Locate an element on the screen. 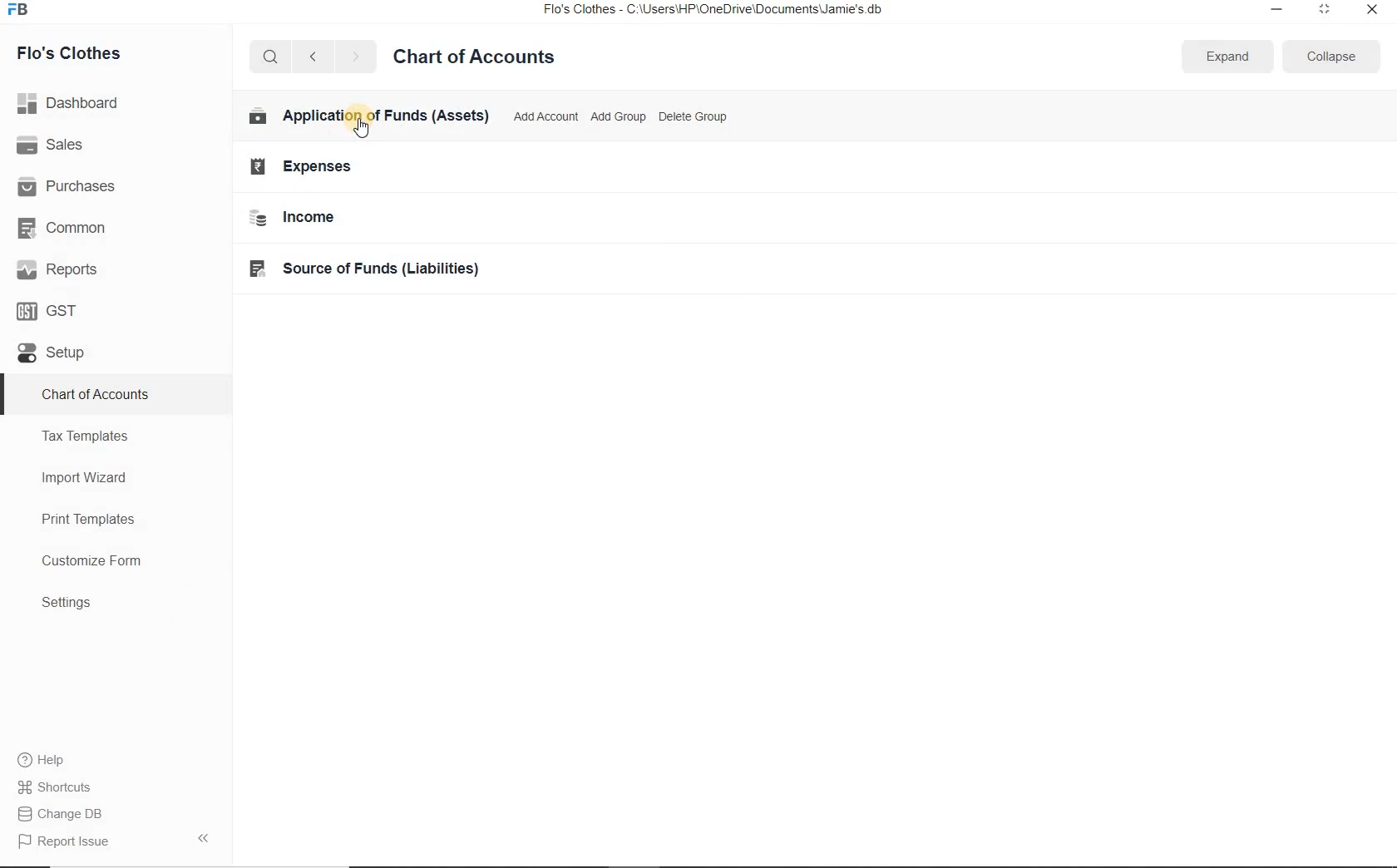  Chart of Accounts is located at coordinates (483, 55).